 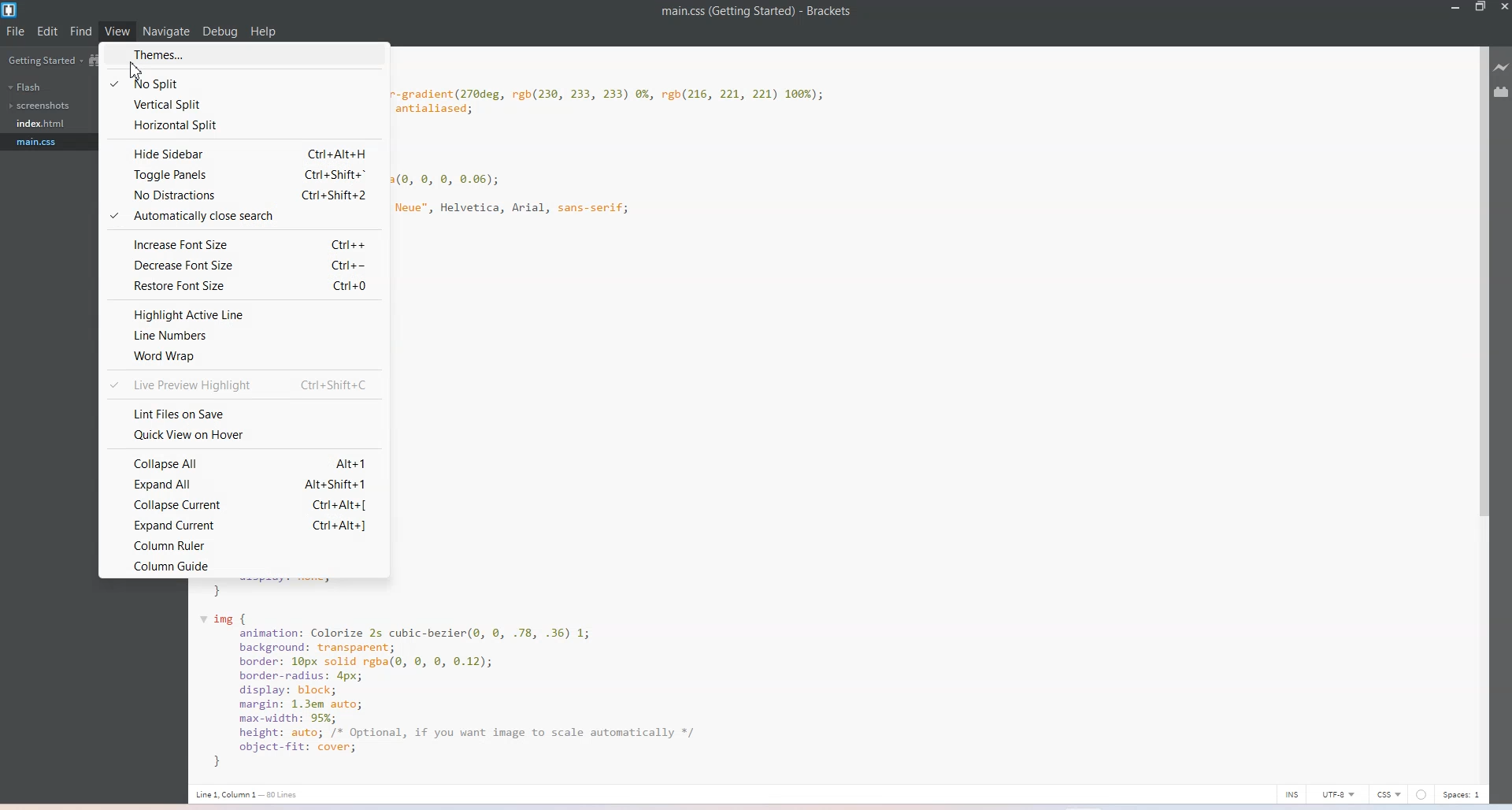 I want to click on Vertical split, so click(x=246, y=105).